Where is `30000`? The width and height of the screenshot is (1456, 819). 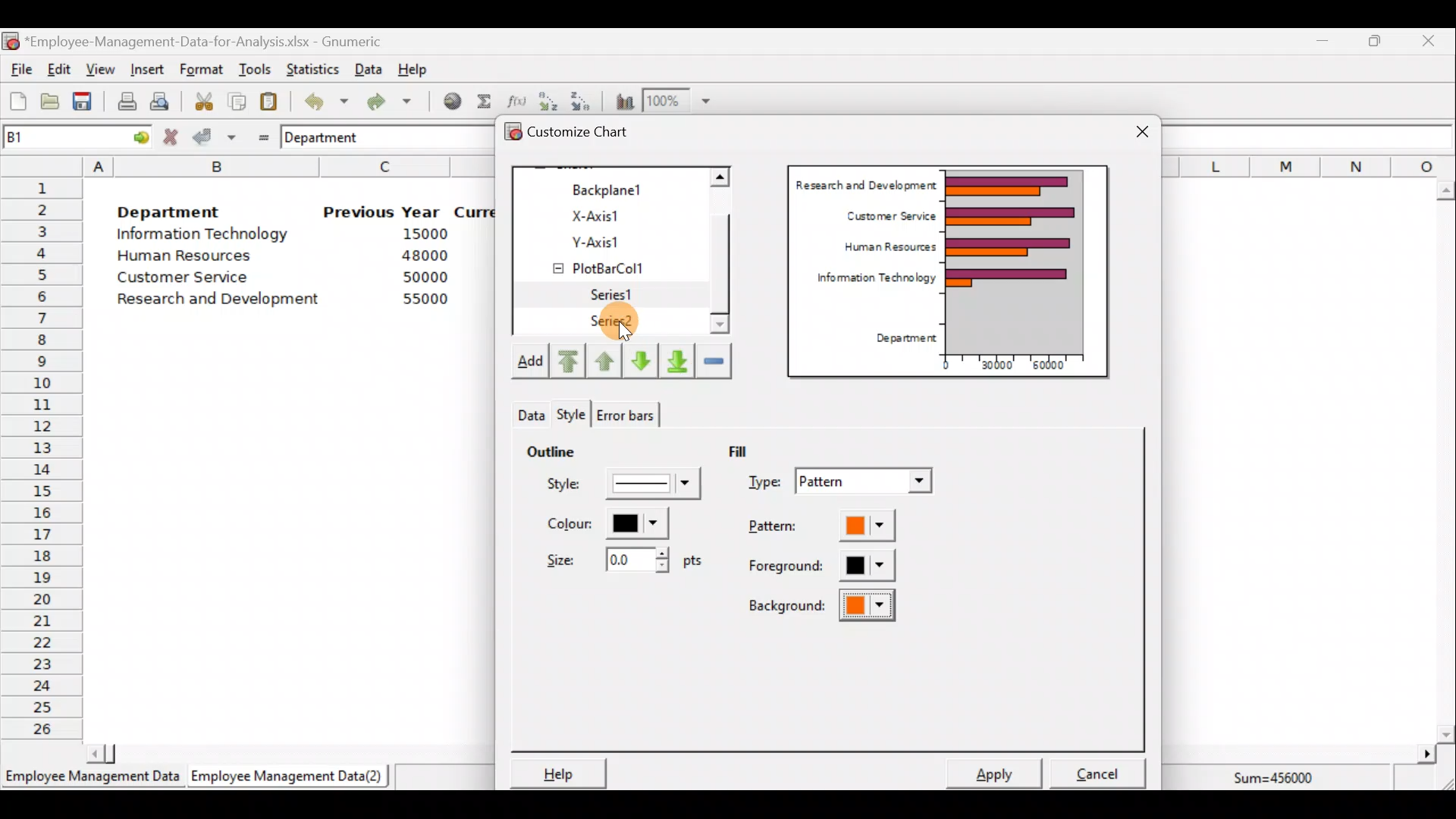
30000 is located at coordinates (996, 363).